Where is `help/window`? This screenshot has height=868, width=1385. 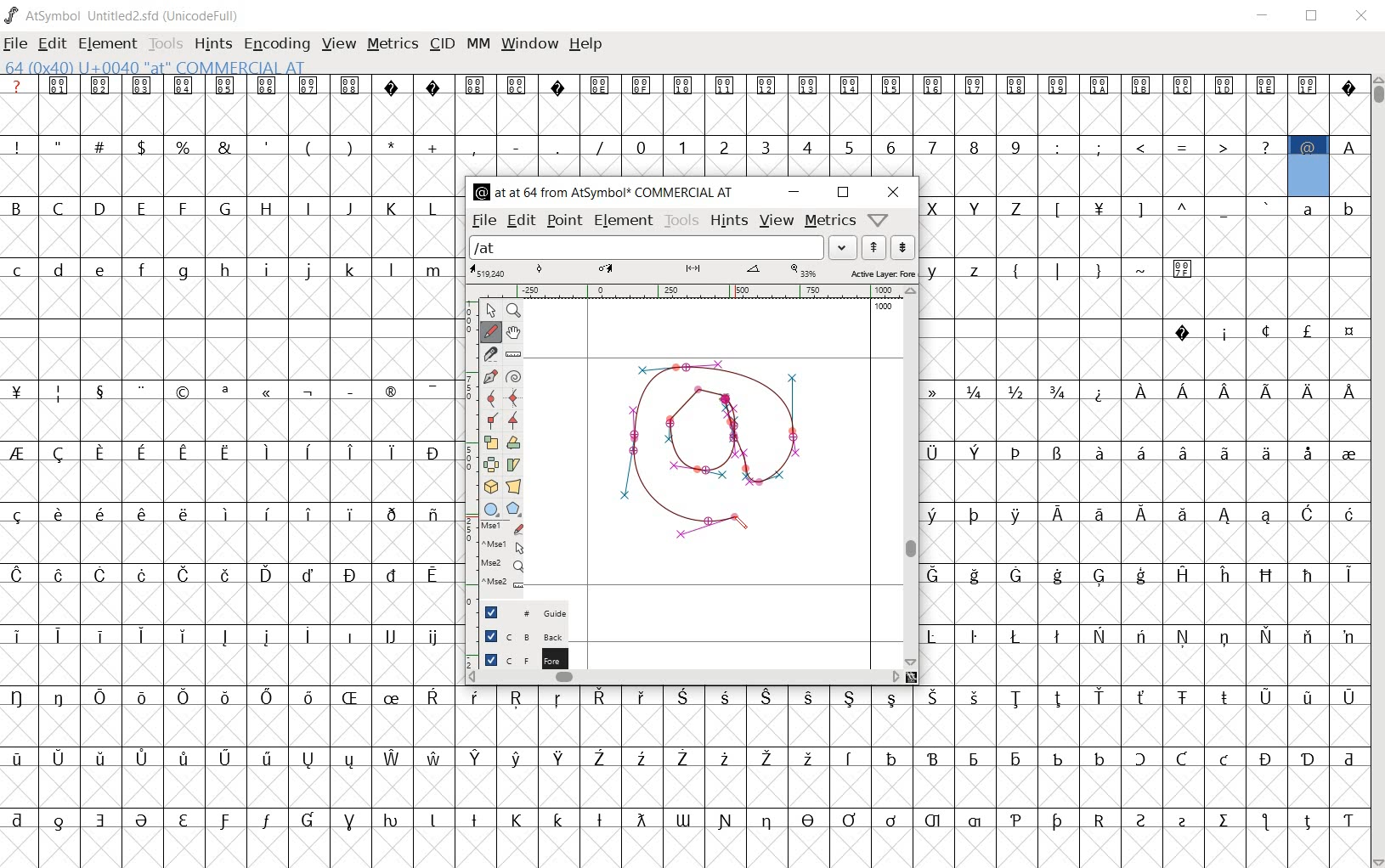 help/window is located at coordinates (881, 219).